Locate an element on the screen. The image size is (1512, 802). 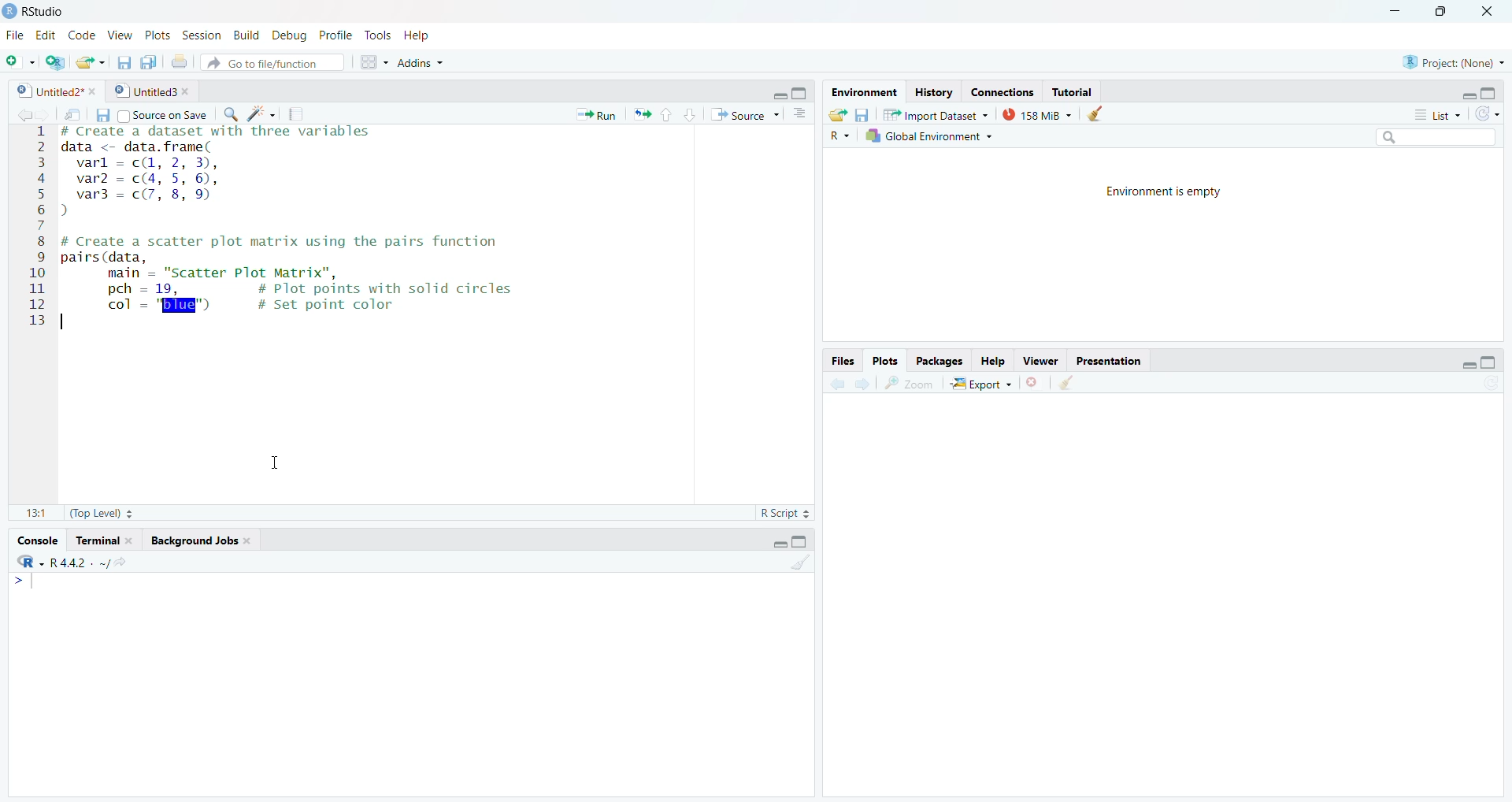
Files is located at coordinates (840, 360).